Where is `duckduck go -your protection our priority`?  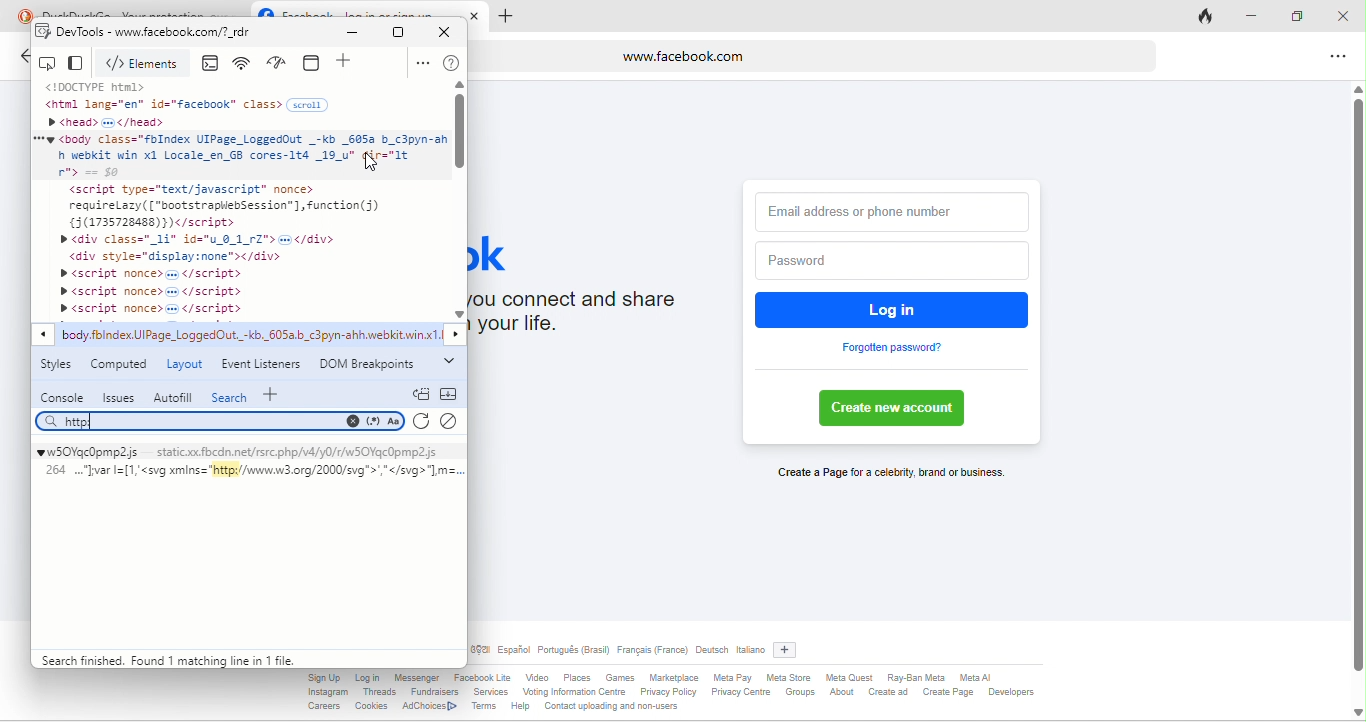 duckduck go -your protection our priority is located at coordinates (144, 10).